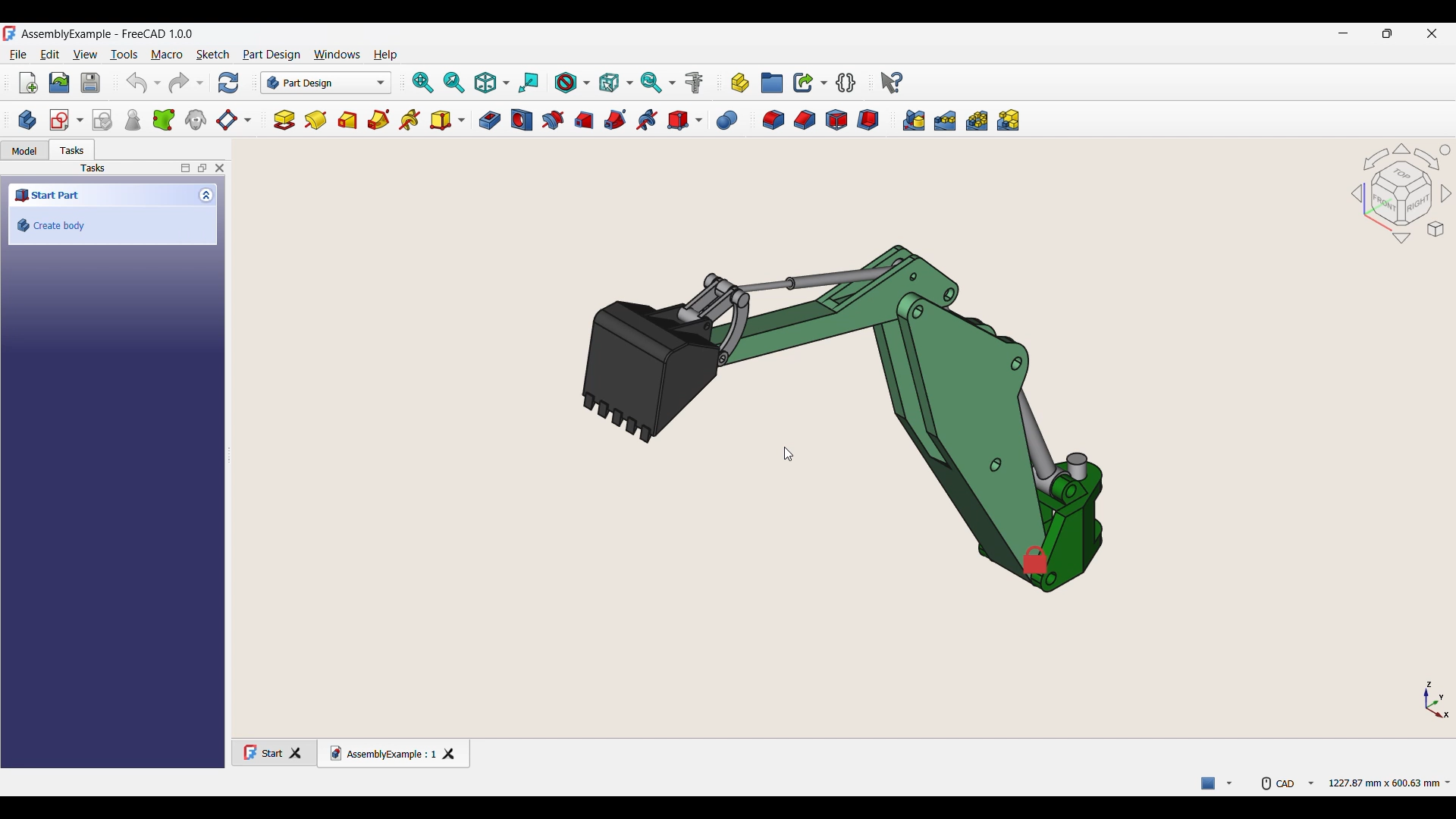 The width and height of the screenshot is (1456, 819). I want to click on Toggle floating window, so click(202, 169).